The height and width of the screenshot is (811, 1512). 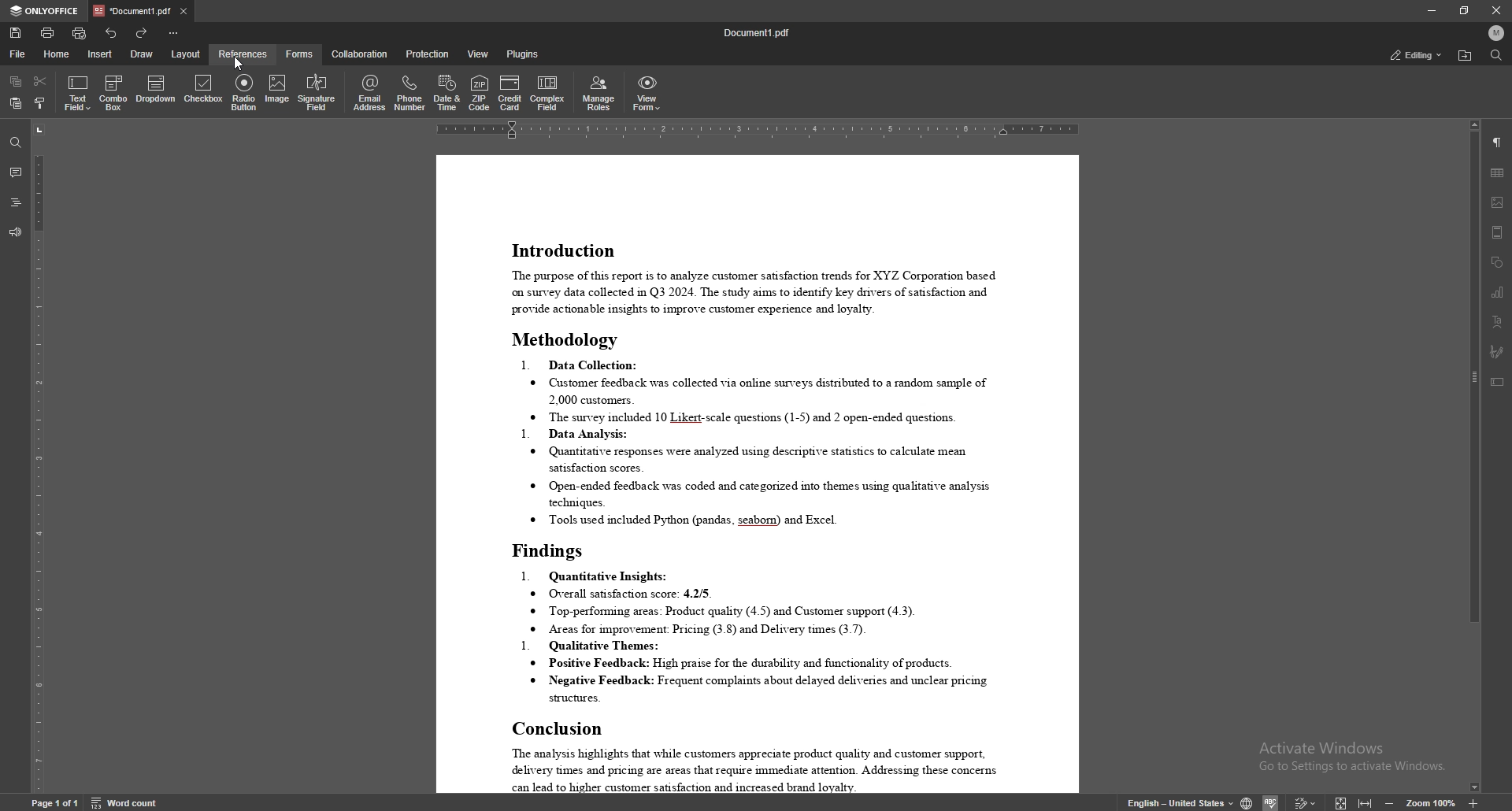 I want to click on zoom, so click(x=1436, y=802).